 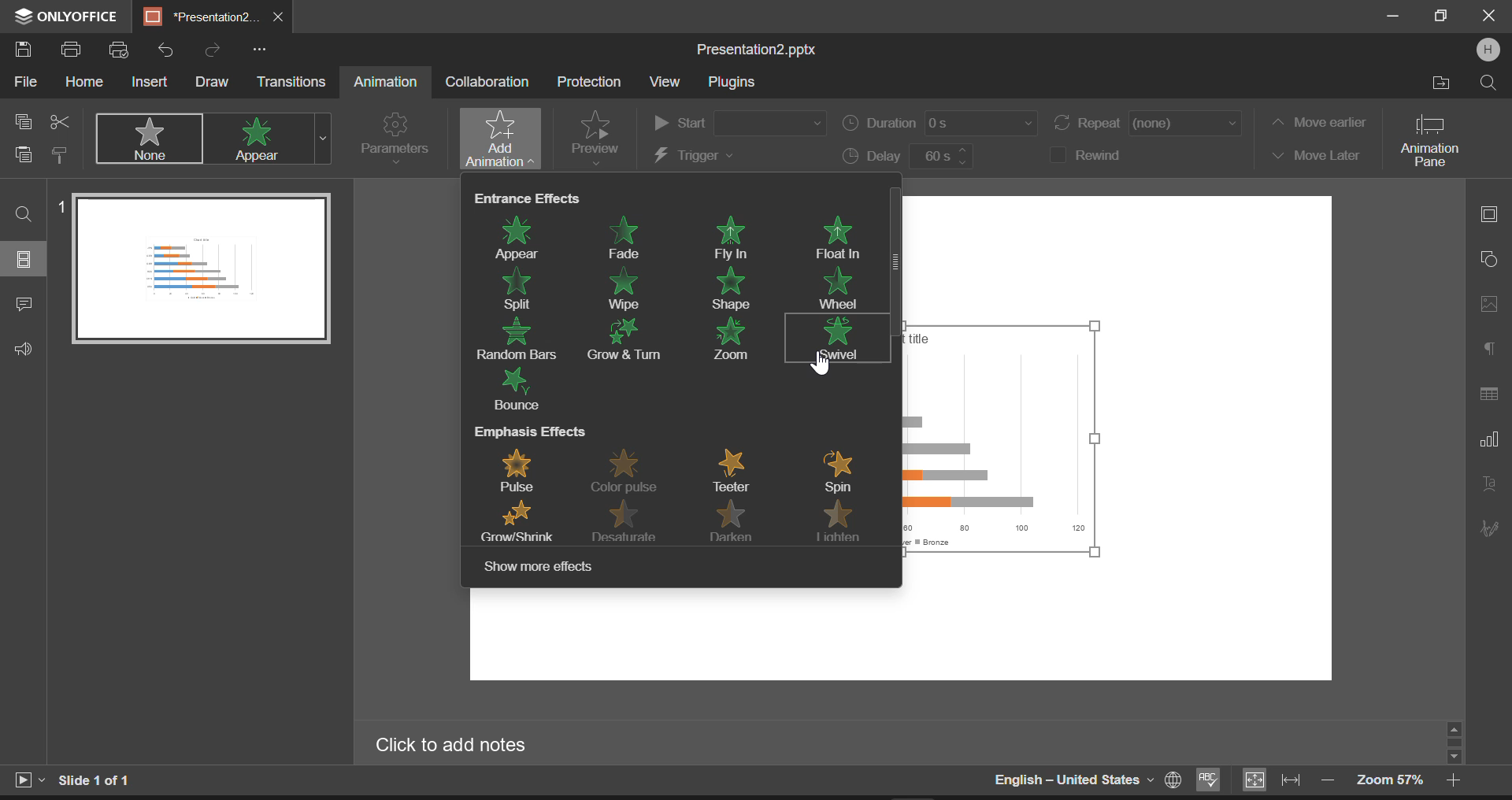 I want to click on Quick print, so click(x=120, y=51).